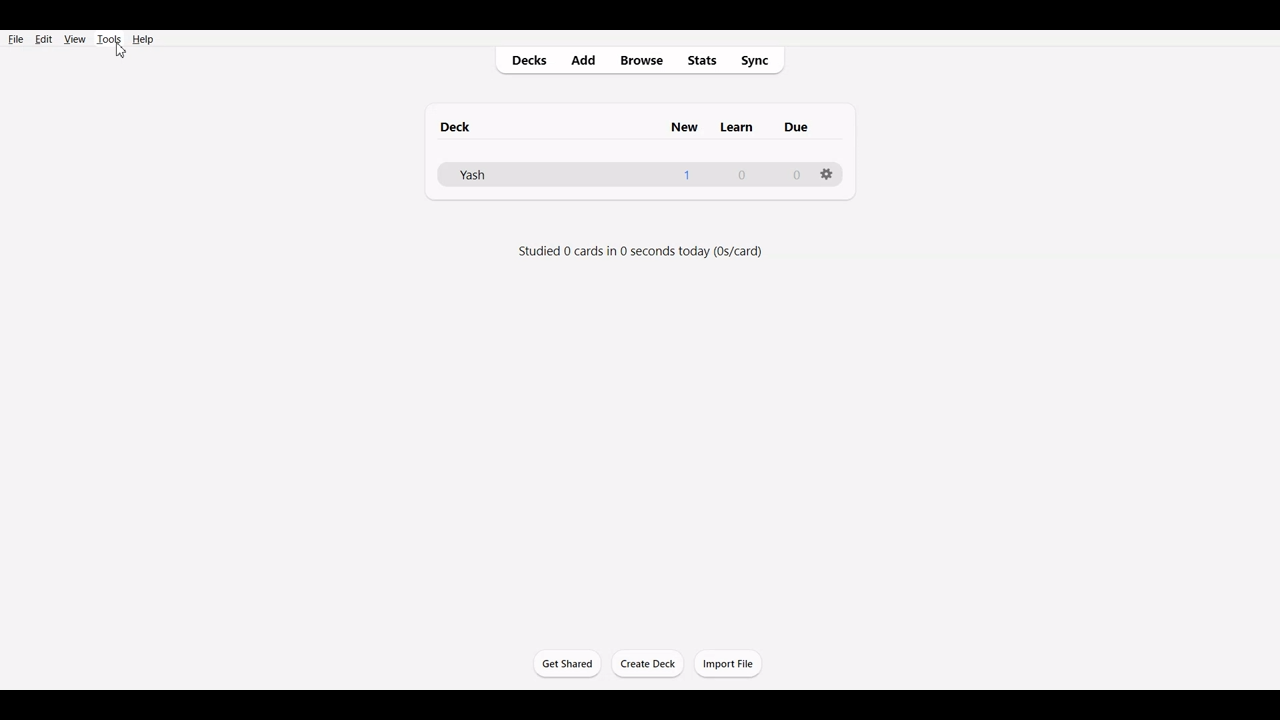  I want to click on Browse, so click(641, 61).